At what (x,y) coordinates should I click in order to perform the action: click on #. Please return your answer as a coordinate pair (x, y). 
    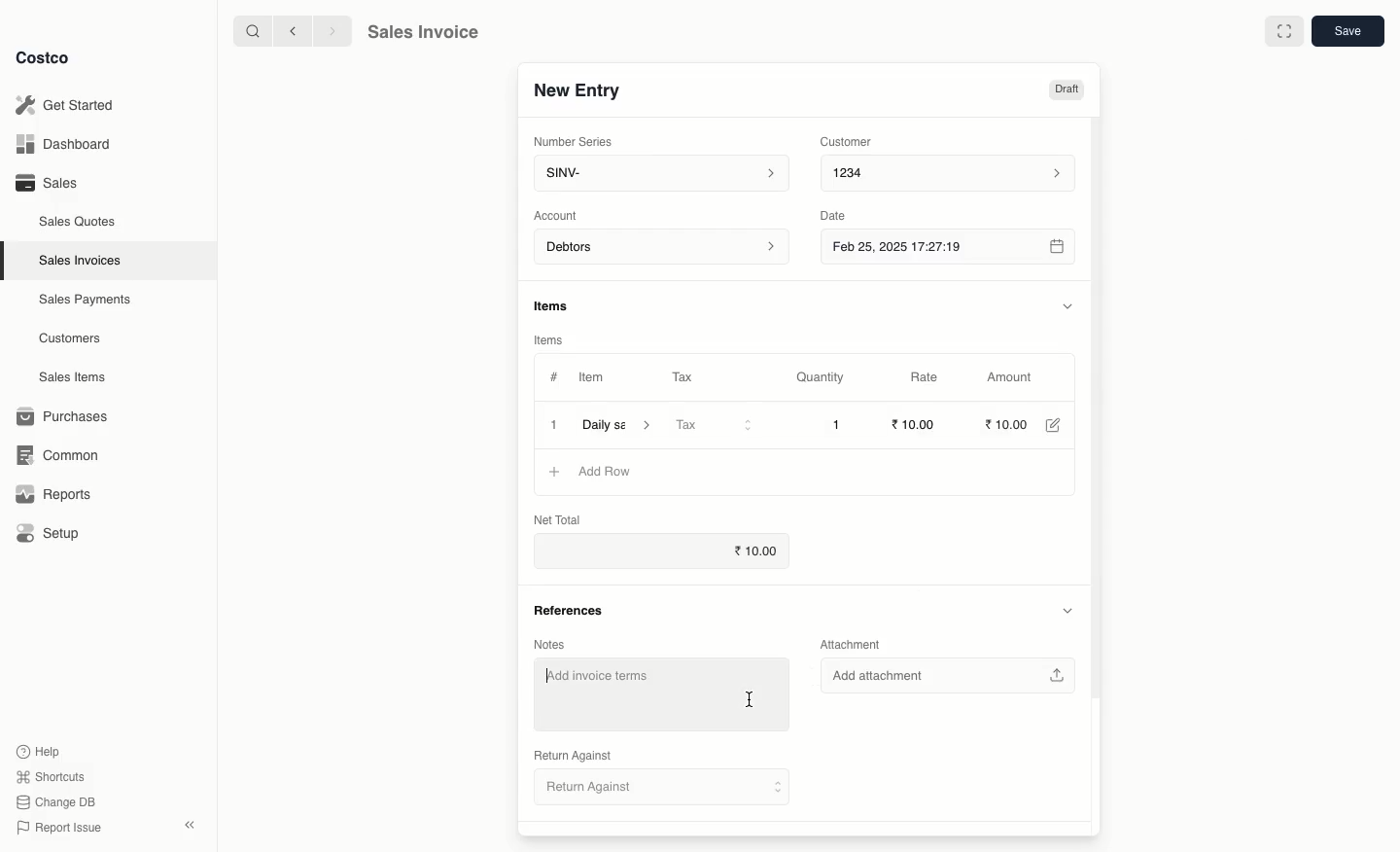
    Looking at the image, I should click on (554, 377).